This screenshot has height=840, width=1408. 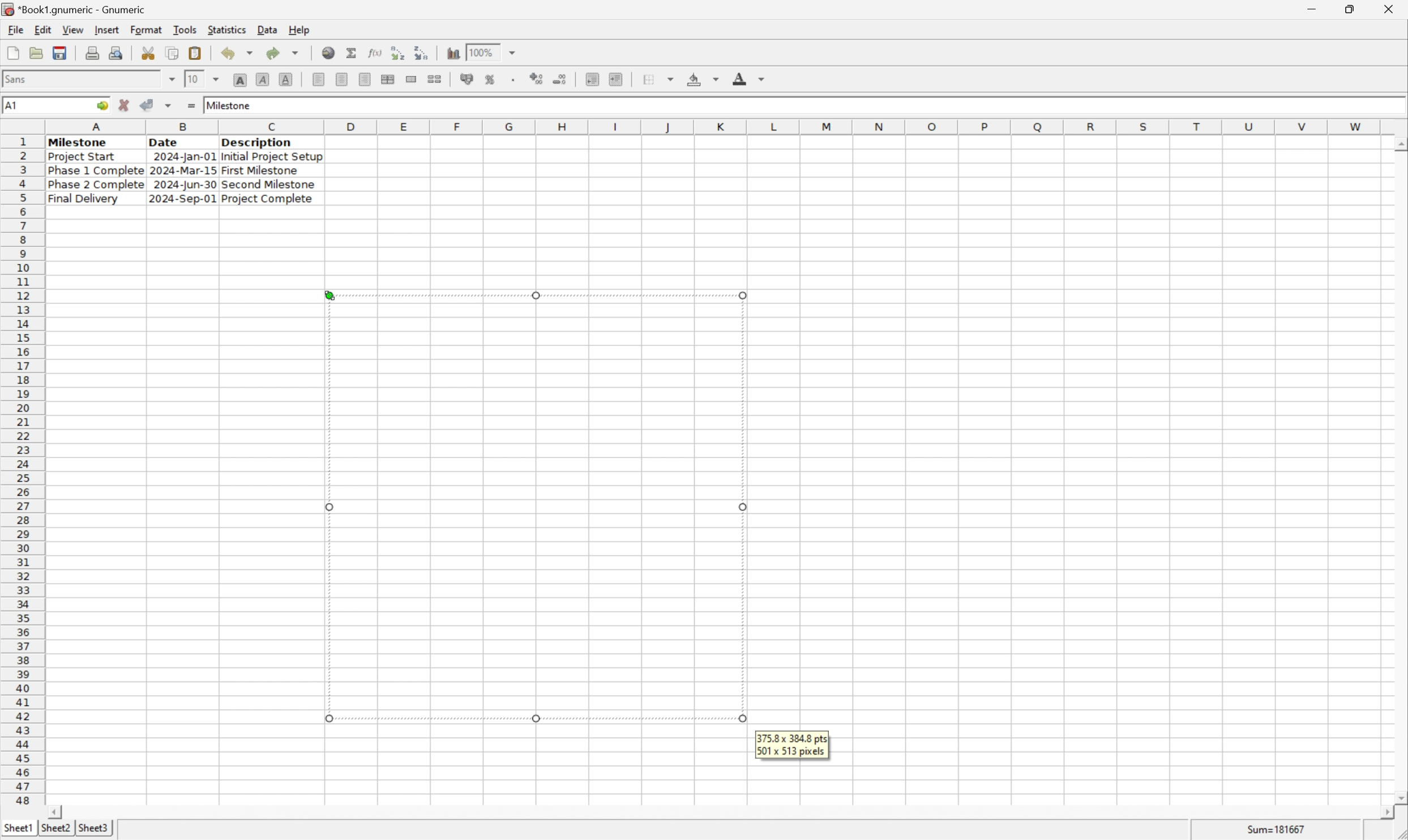 I want to click on edit function in current cell, so click(x=374, y=52).